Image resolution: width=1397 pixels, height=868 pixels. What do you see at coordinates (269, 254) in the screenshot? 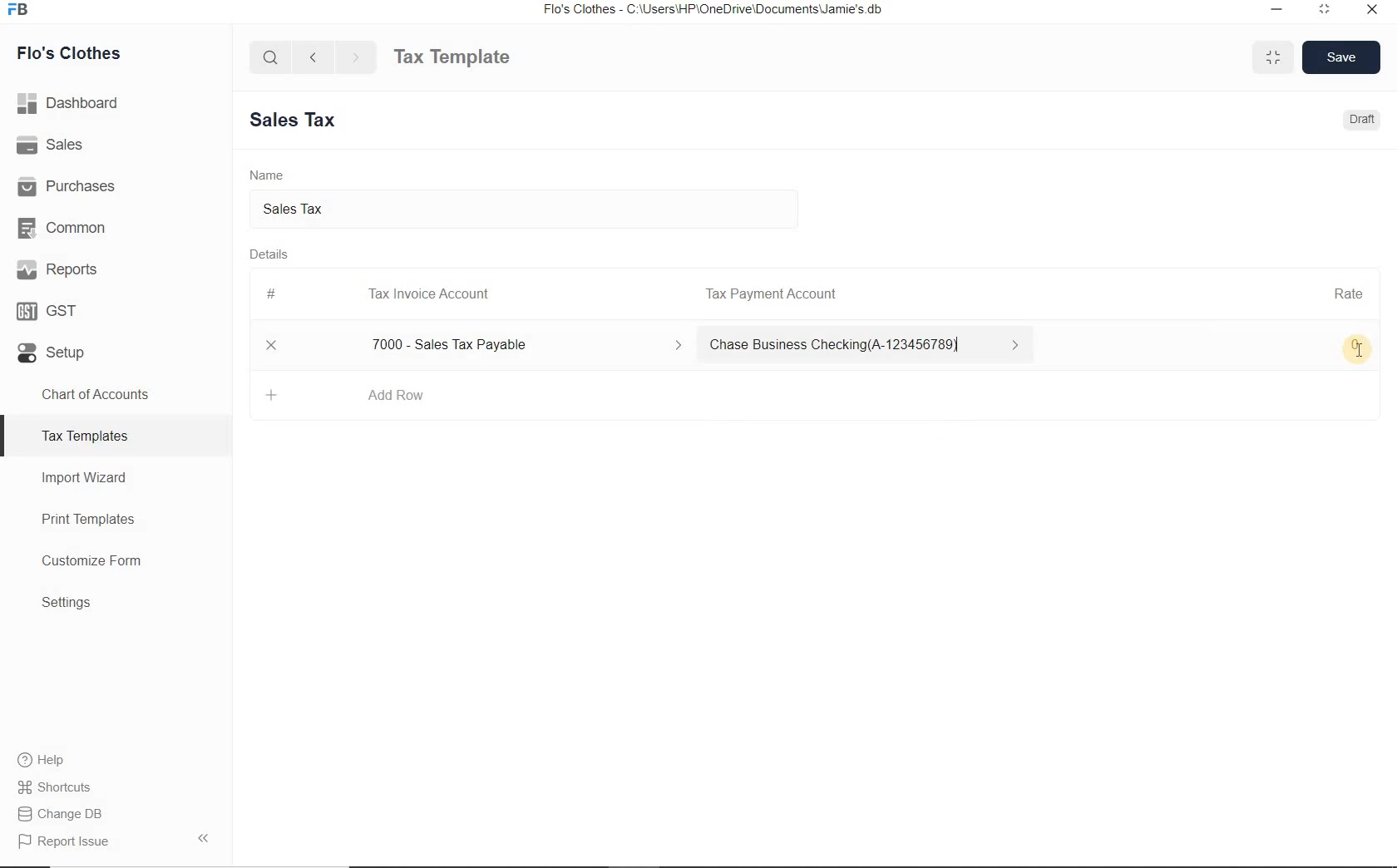
I see `Details` at bounding box center [269, 254].